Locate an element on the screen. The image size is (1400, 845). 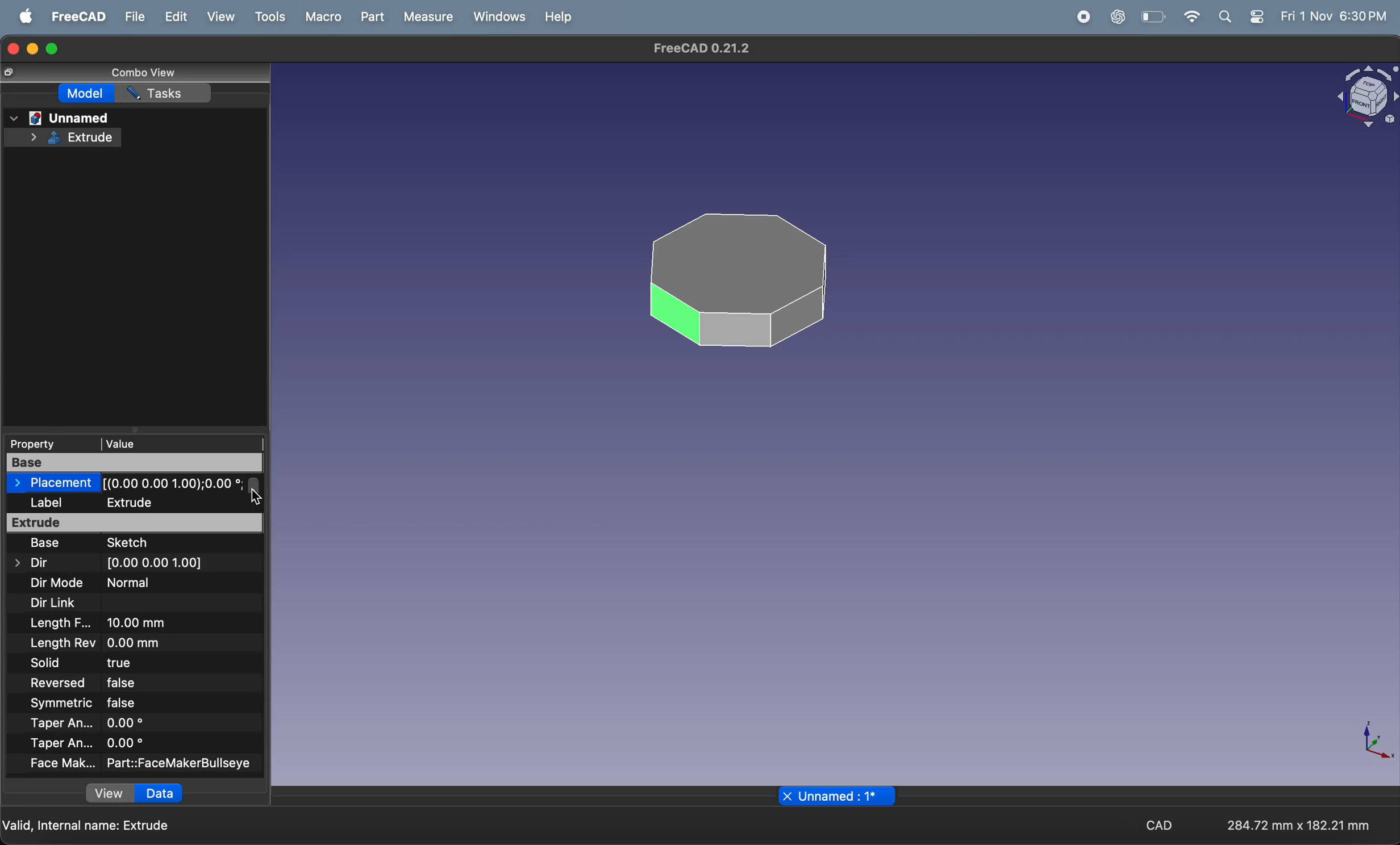
Unnamed is located at coordinates (60, 117).